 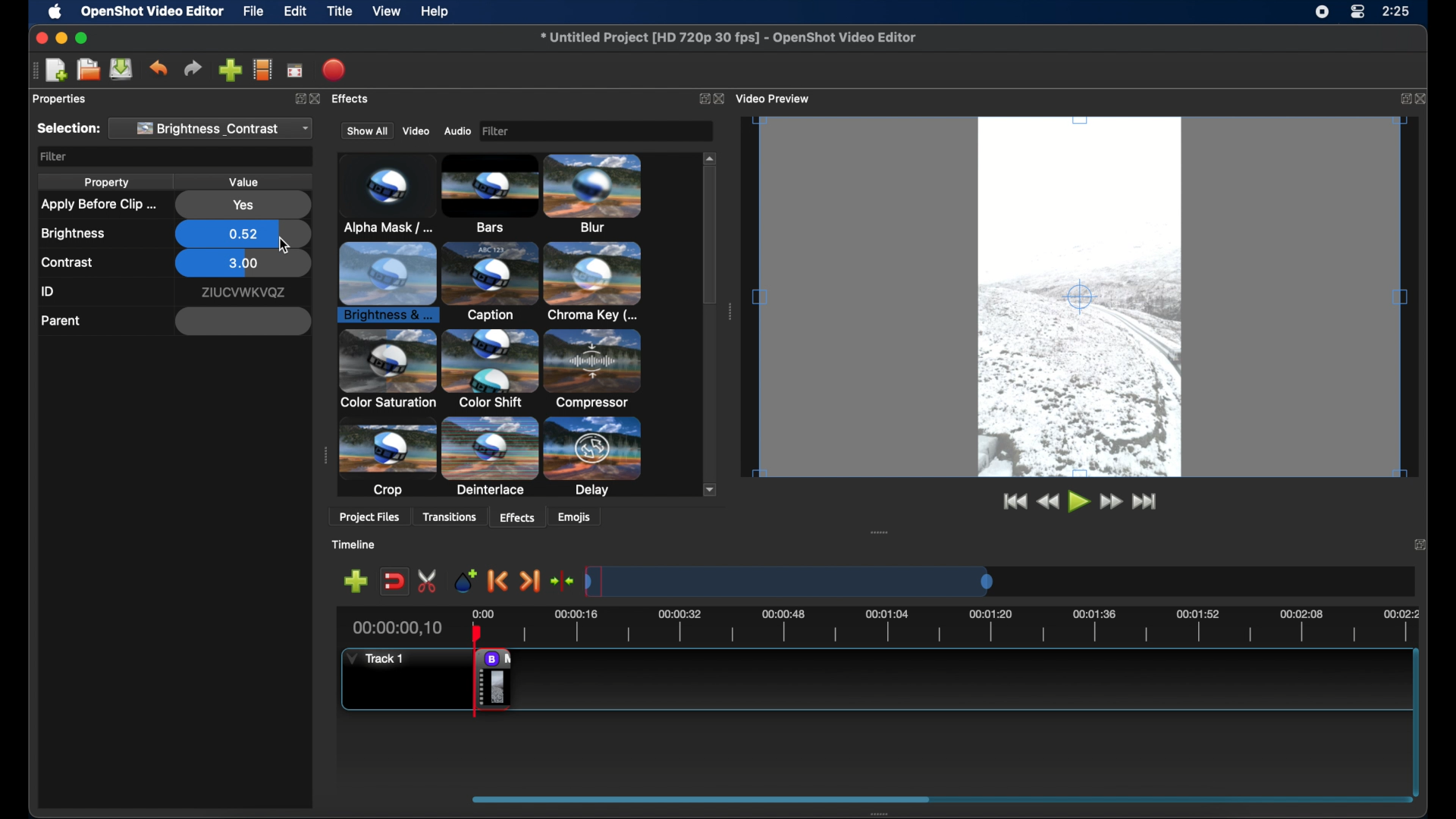 I want to click on expand, so click(x=699, y=98).